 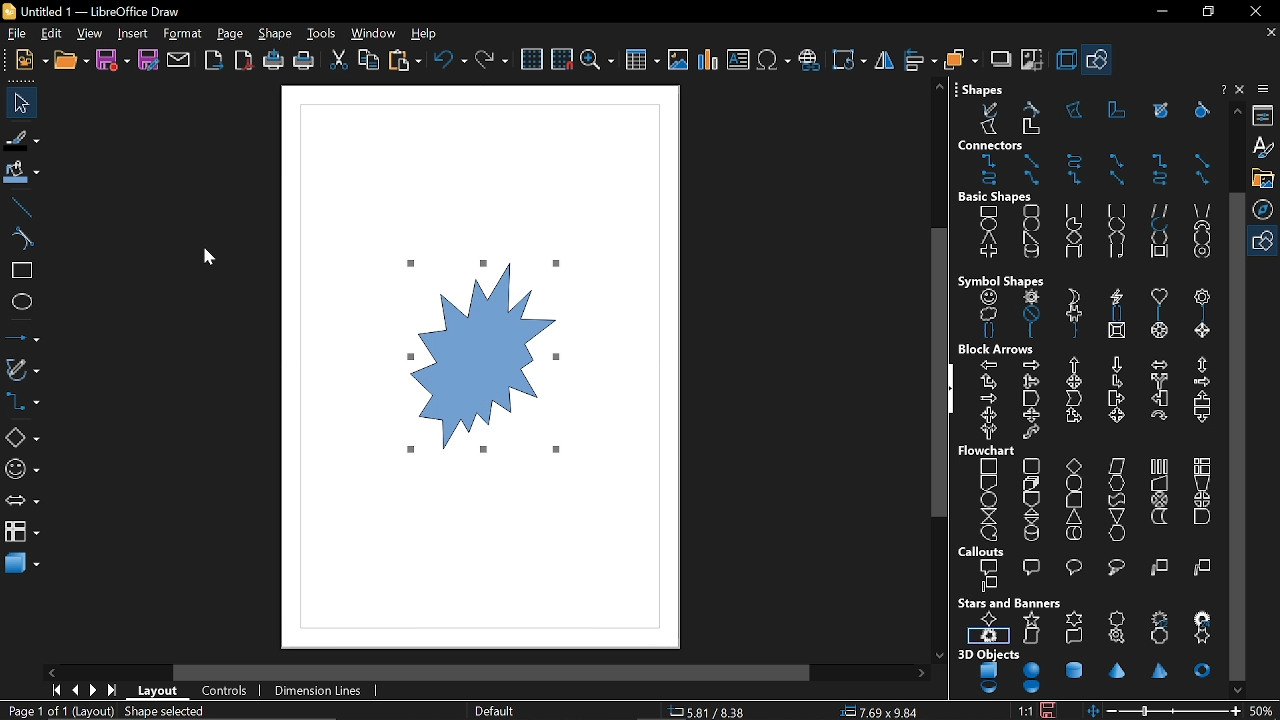 What do you see at coordinates (21, 239) in the screenshot?
I see `curve` at bounding box center [21, 239].